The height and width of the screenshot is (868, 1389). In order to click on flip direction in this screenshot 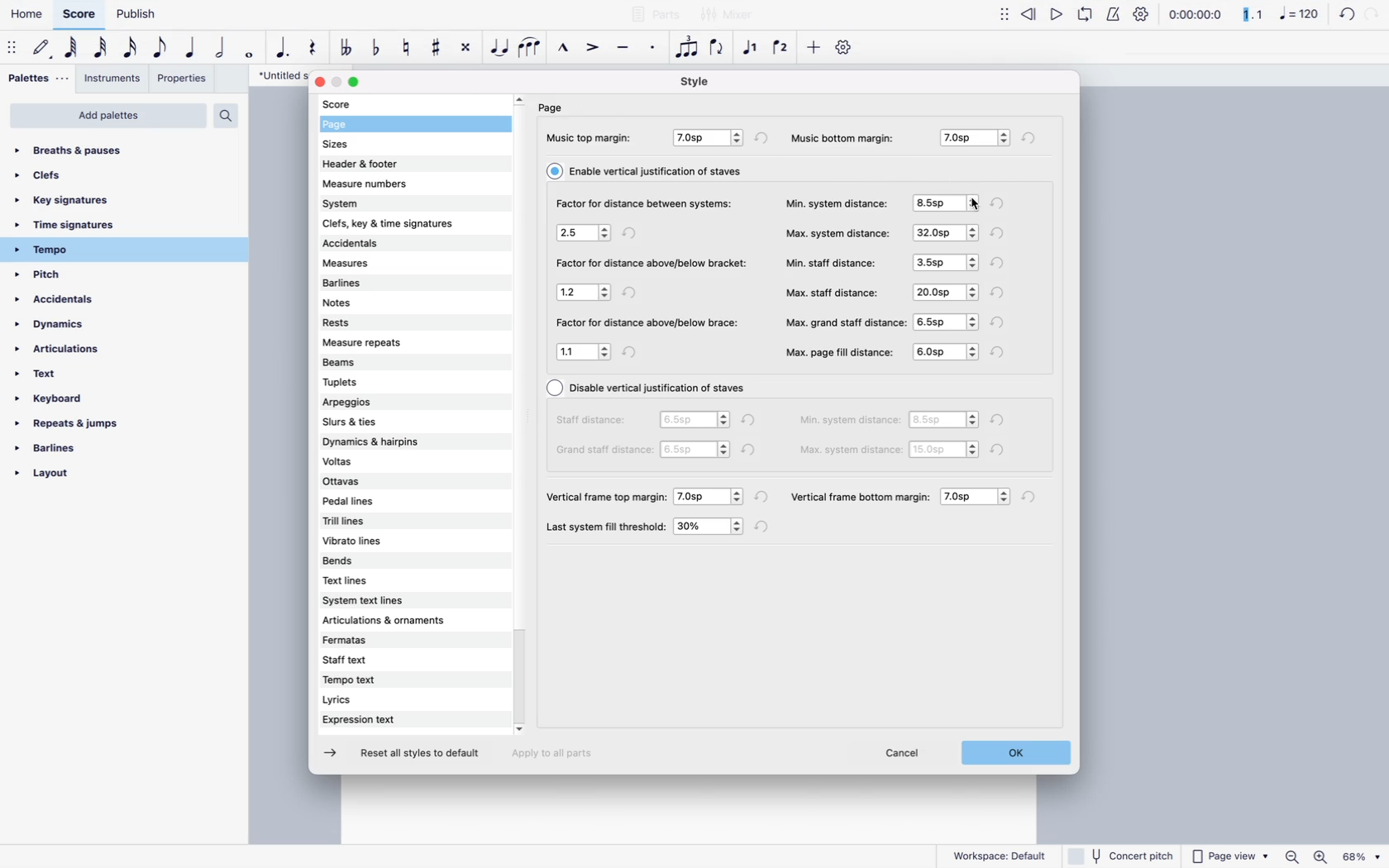, I will do `click(718, 48)`.